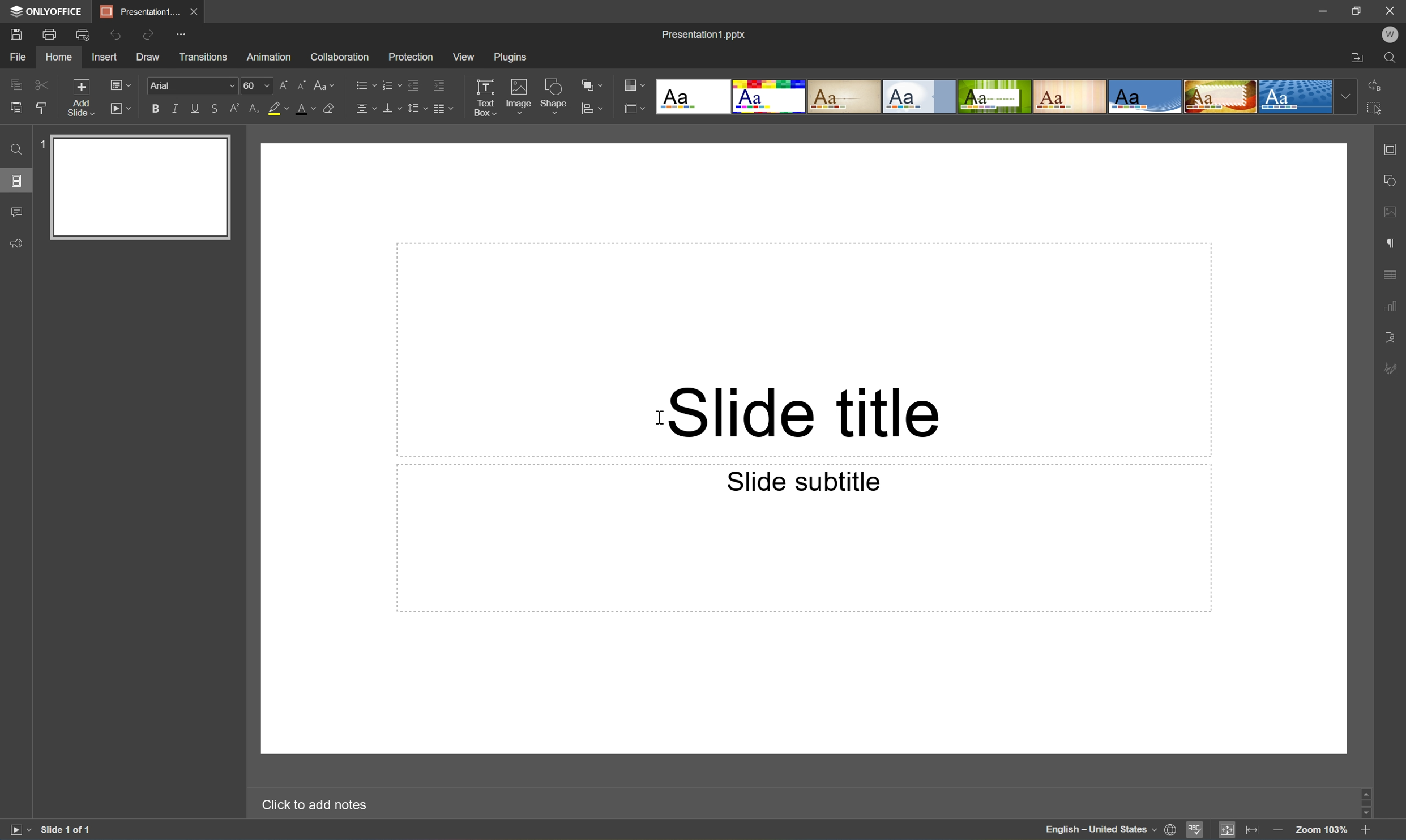 The width and height of the screenshot is (1406, 840). I want to click on Animation, so click(268, 57).